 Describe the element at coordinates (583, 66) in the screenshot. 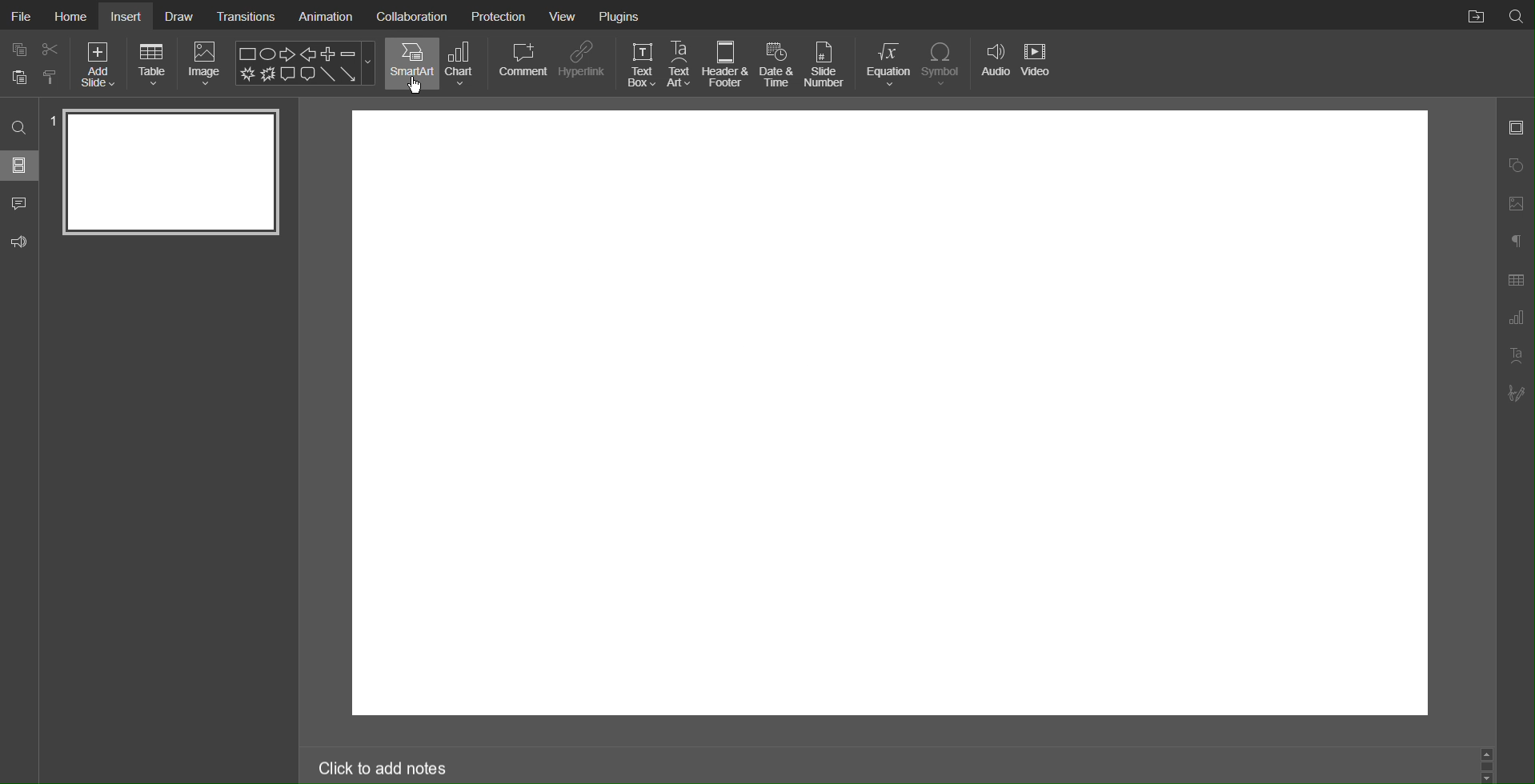

I see `Hyperlink` at that location.